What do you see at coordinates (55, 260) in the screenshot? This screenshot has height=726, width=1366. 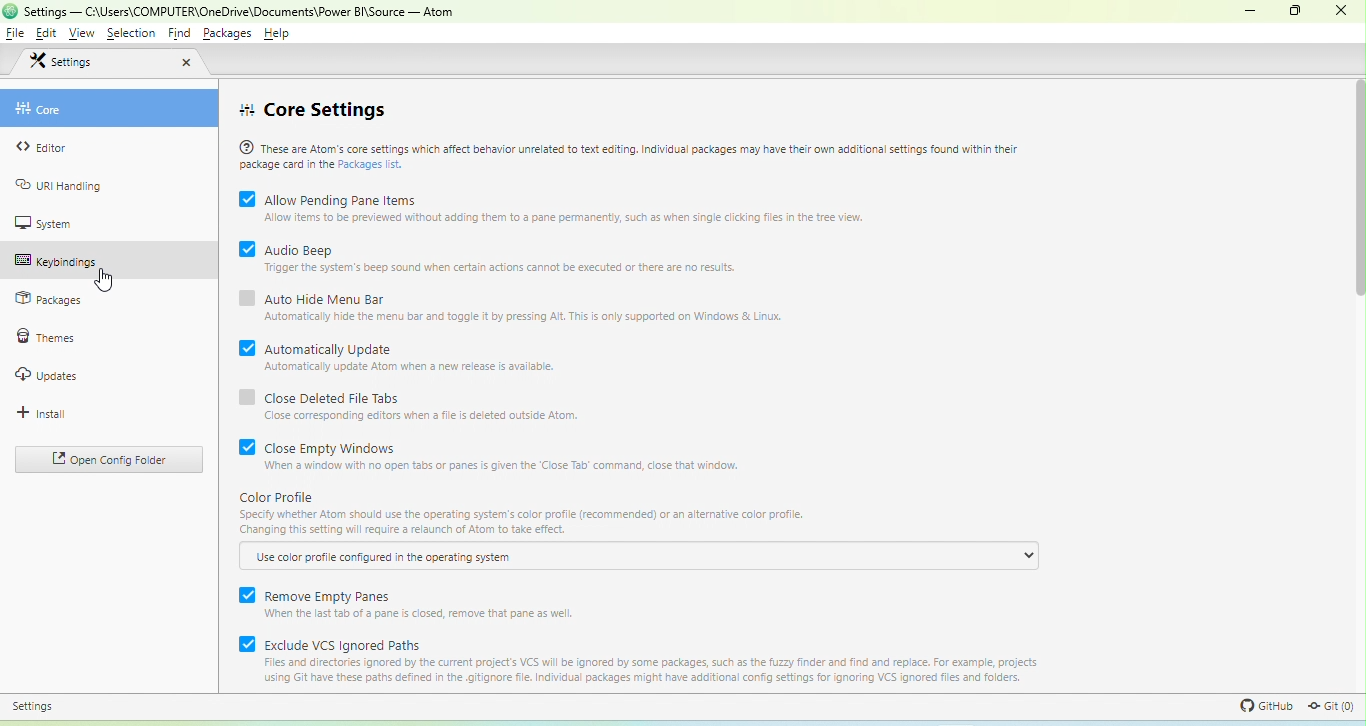 I see `keybindings` at bounding box center [55, 260].